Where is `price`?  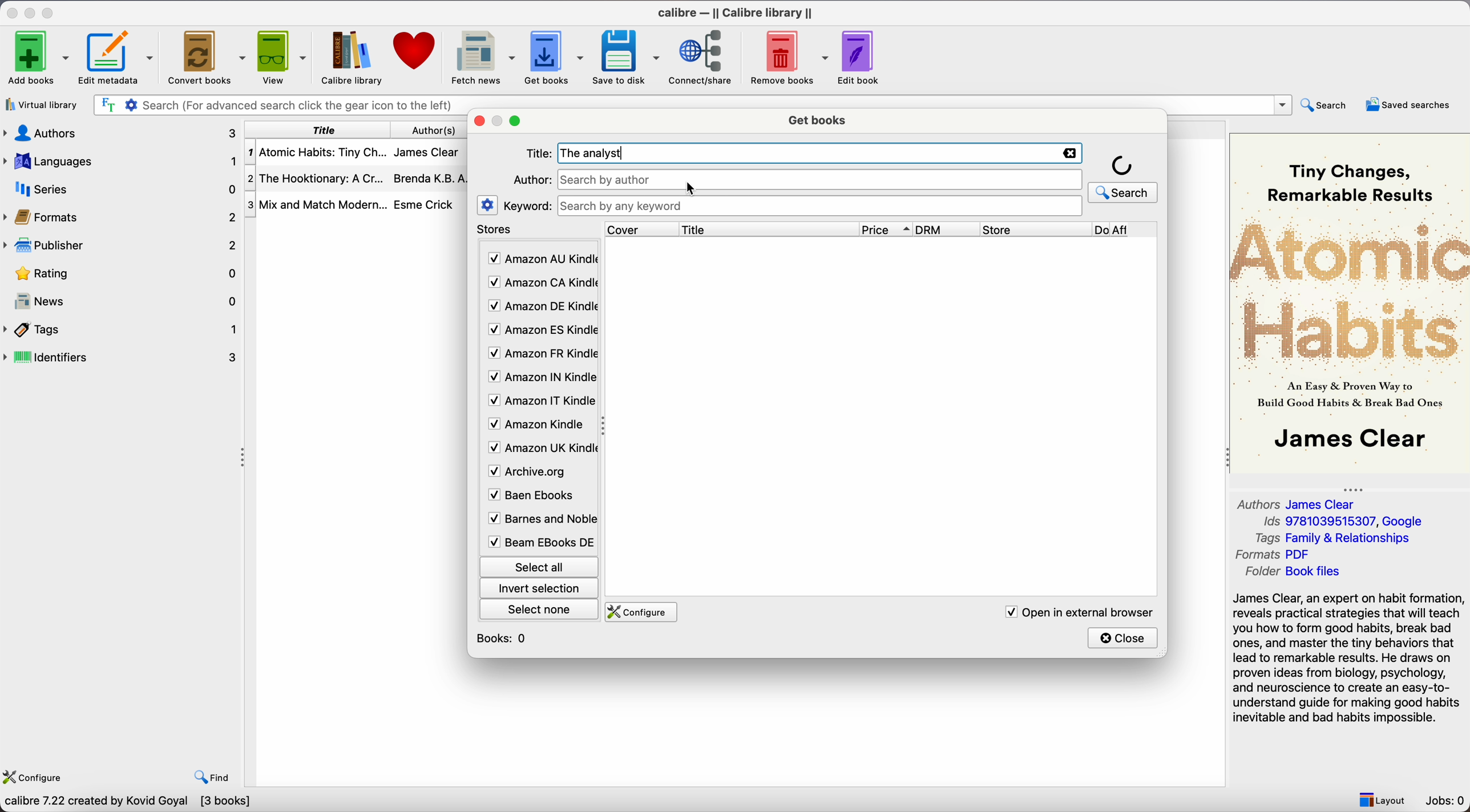
price is located at coordinates (887, 230).